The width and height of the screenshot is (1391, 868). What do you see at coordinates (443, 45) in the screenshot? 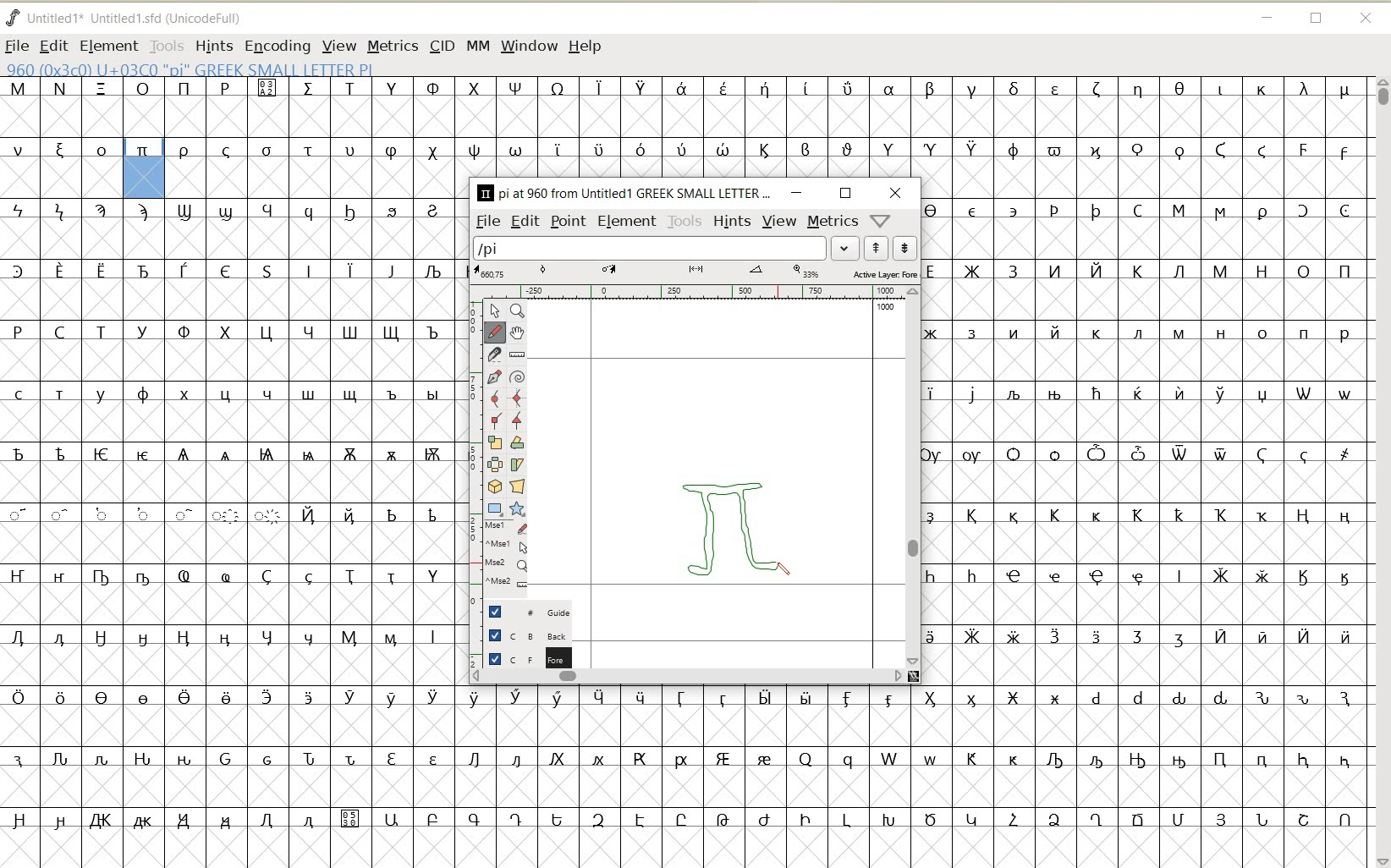
I see `CID` at bounding box center [443, 45].